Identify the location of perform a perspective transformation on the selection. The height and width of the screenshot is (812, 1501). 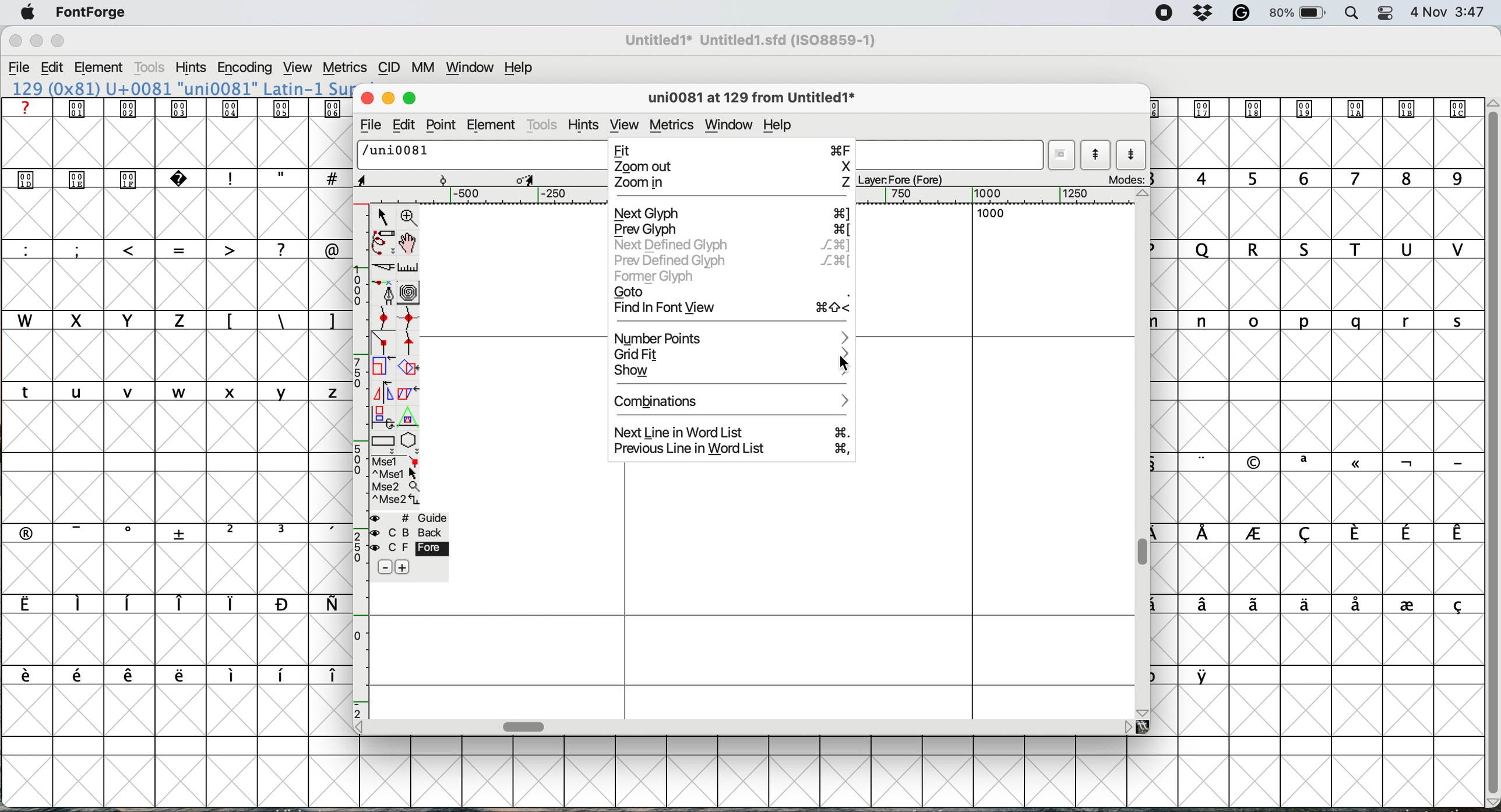
(408, 415).